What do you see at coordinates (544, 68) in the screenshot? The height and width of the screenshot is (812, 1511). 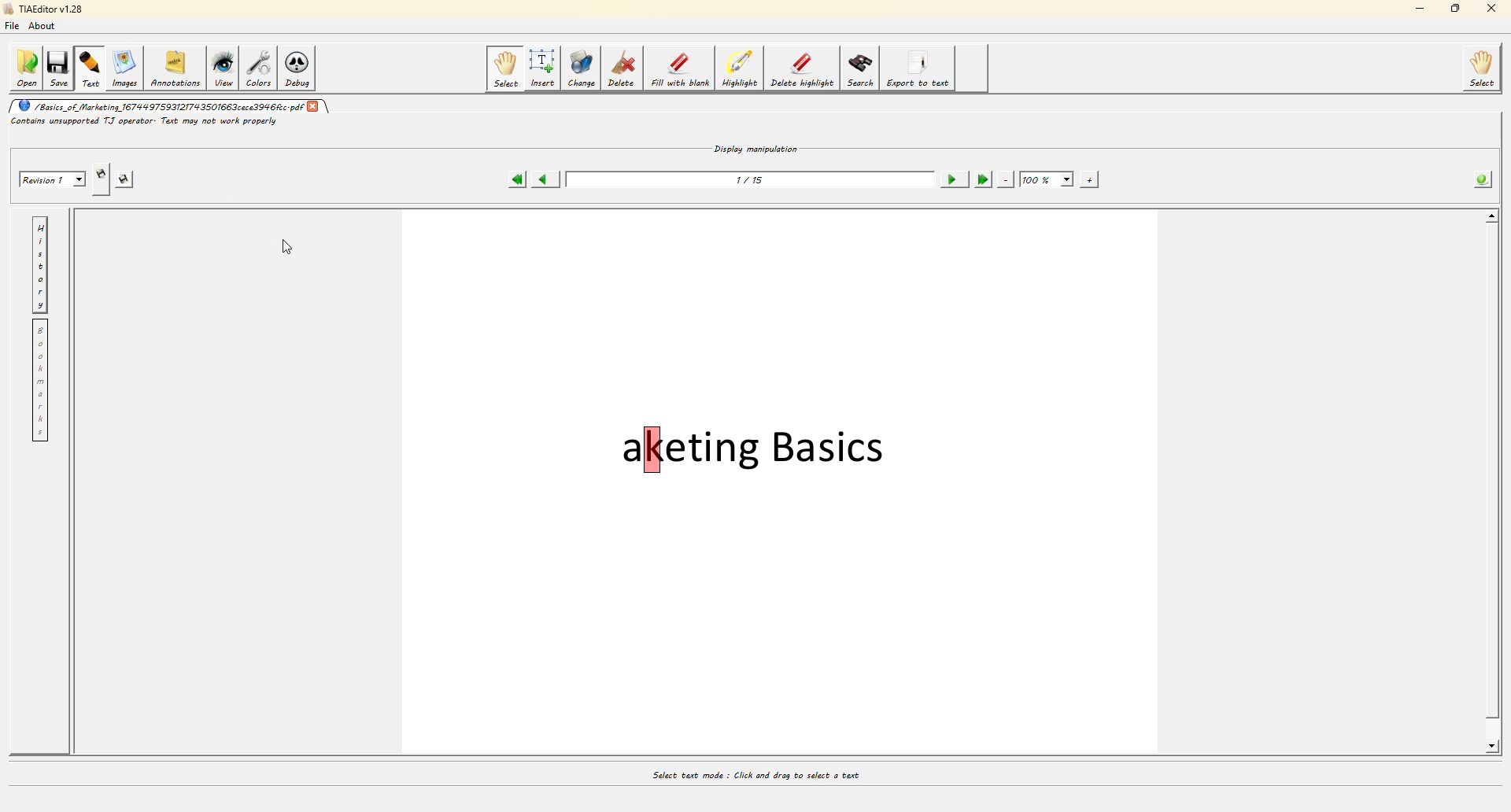 I see `insert` at bounding box center [544, 68].